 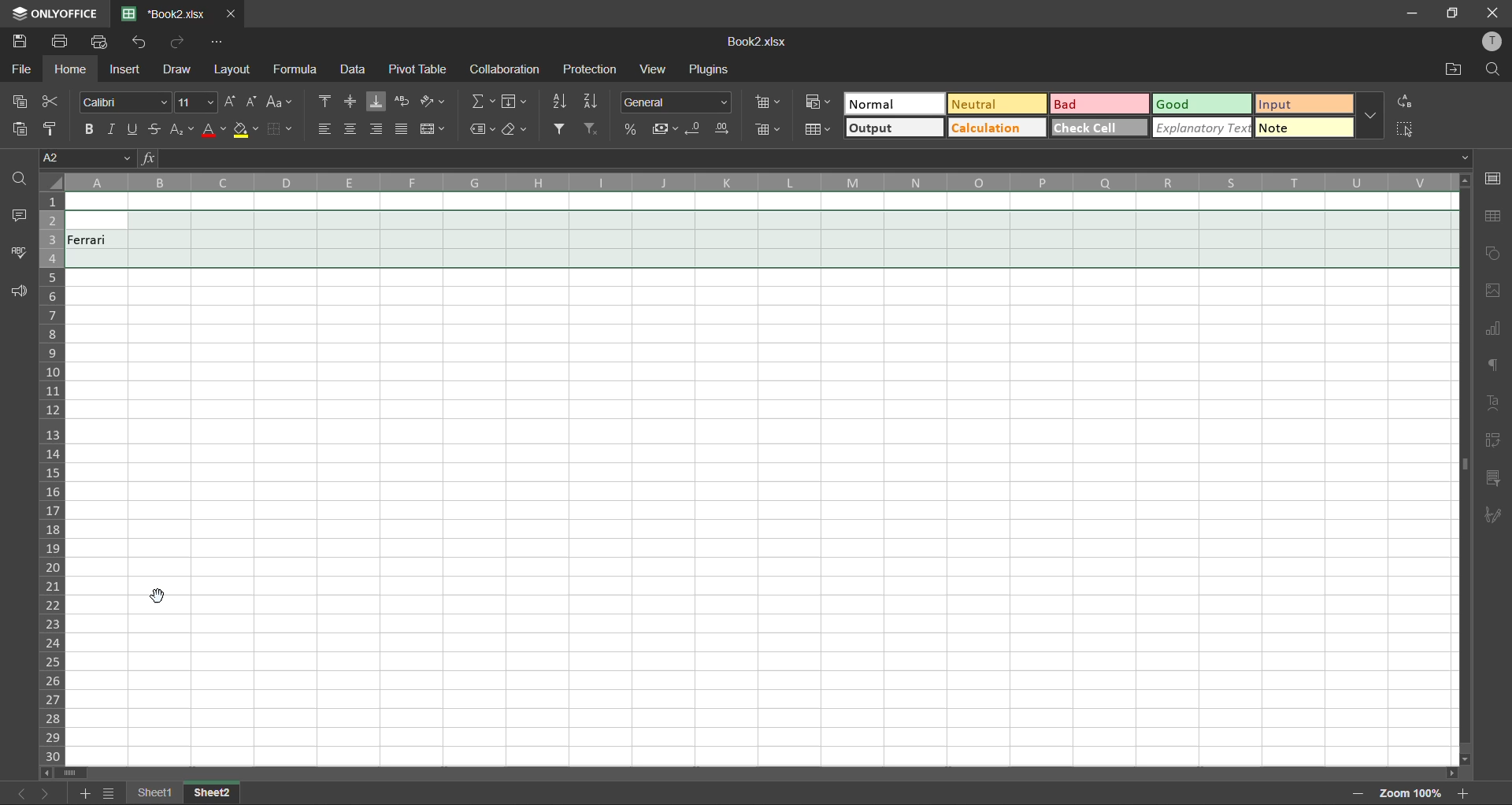 What do you see at coordinates (698, 130) in the screenshot?
I see `decrease decimal` at bounding box center [698, 130].